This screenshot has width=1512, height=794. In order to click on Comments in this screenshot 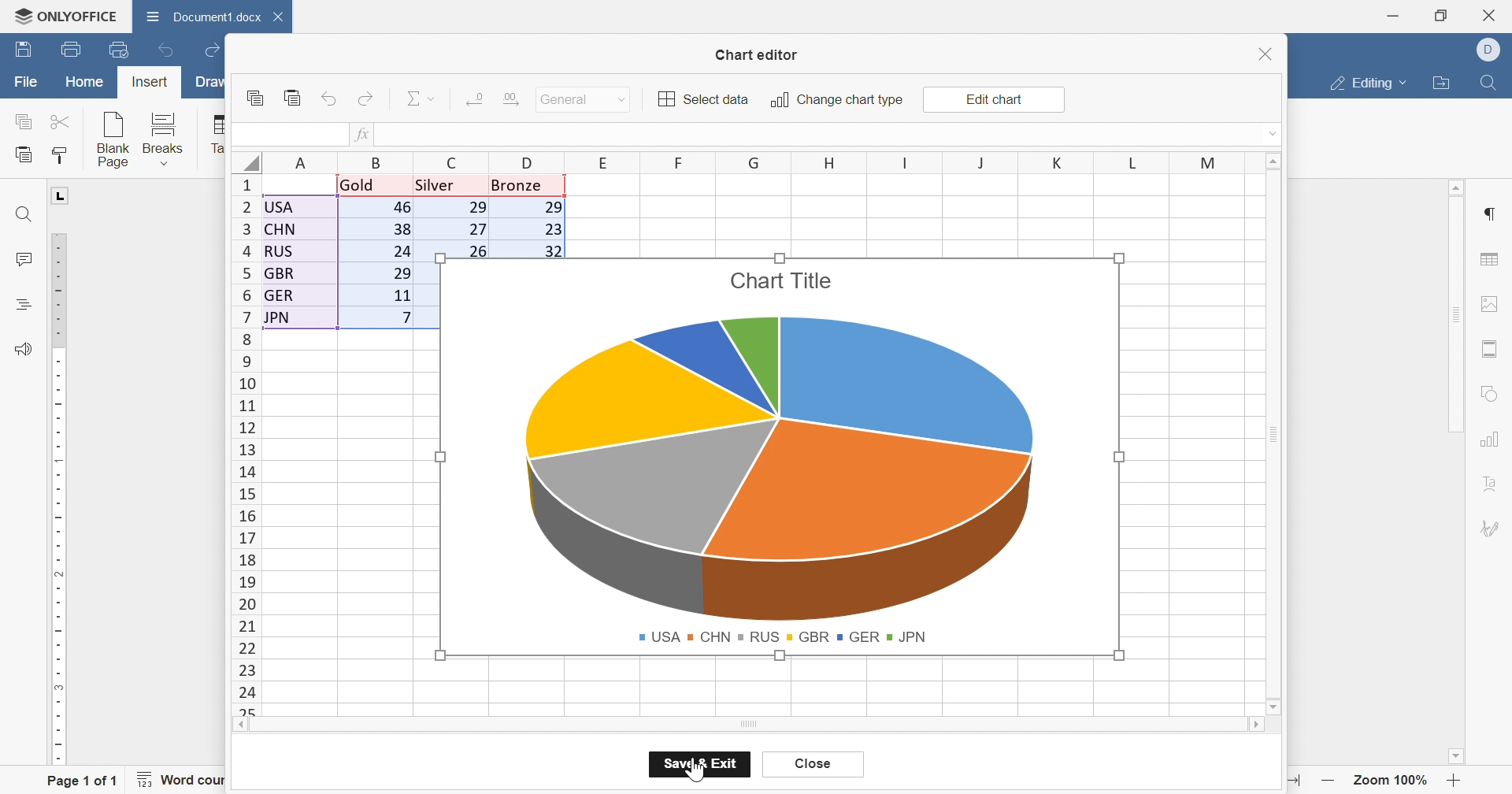, I will do `click(23, 261)`.